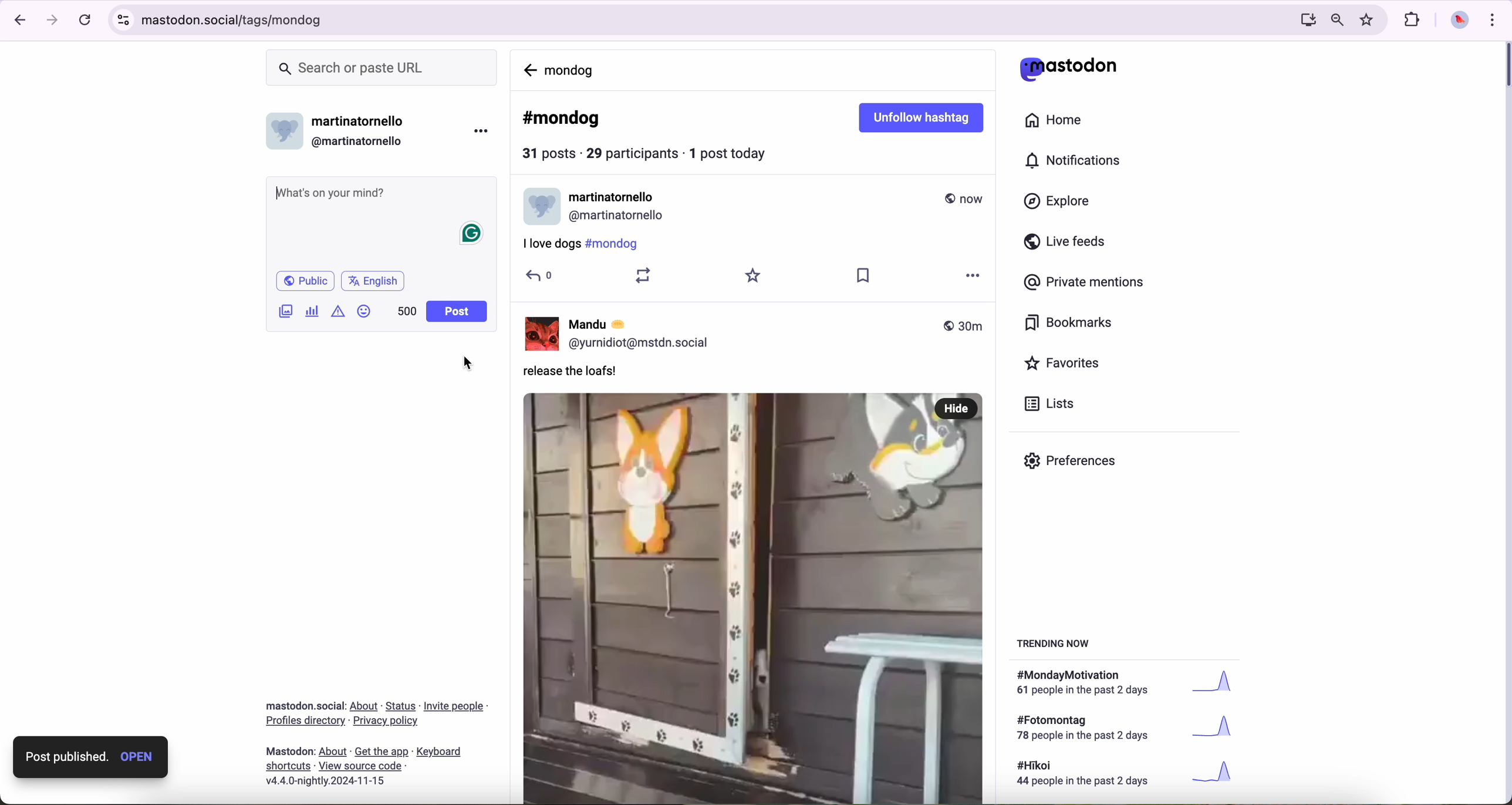 The image size is (1512, 805). I want to click on reply, so click(541, 777).